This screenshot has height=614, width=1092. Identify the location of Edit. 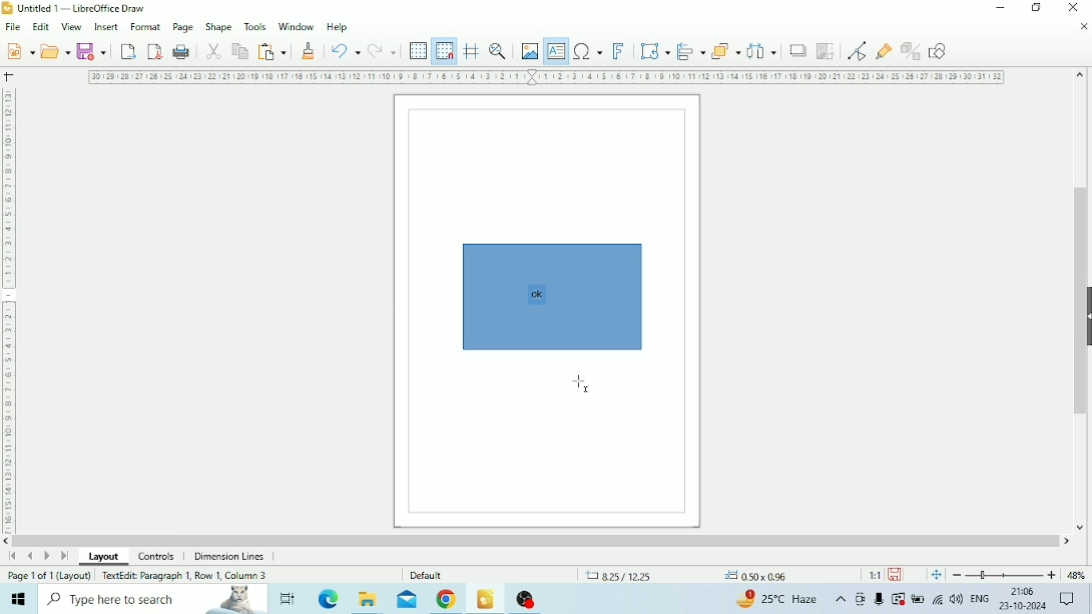
(40, 27).